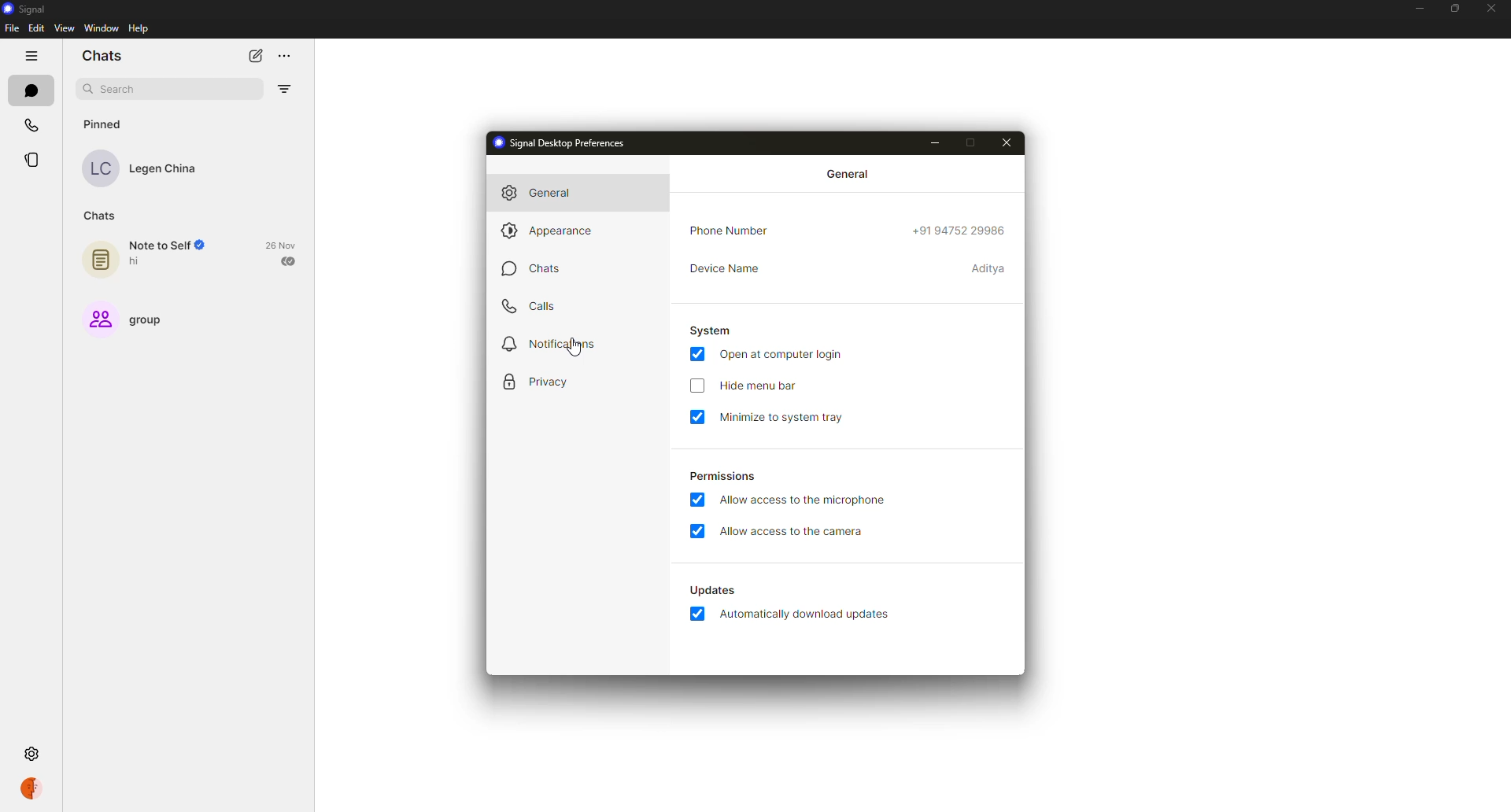 This screenshot has height=812, width=1511. I want to click on hide menu bar, so click(757, 387).